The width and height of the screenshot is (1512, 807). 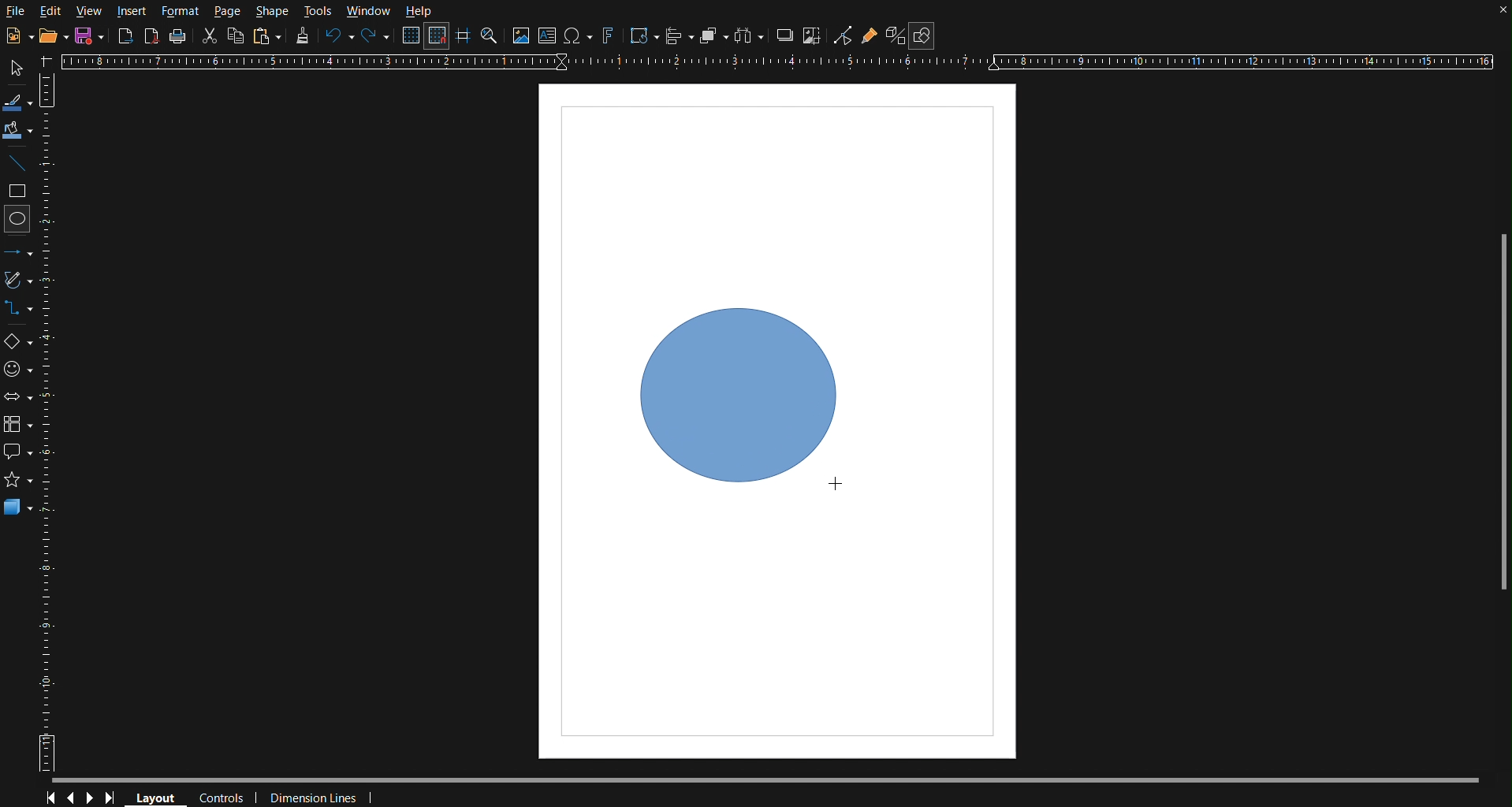 I want to click on Toggle Extrusion, so click(x=895, y=36).